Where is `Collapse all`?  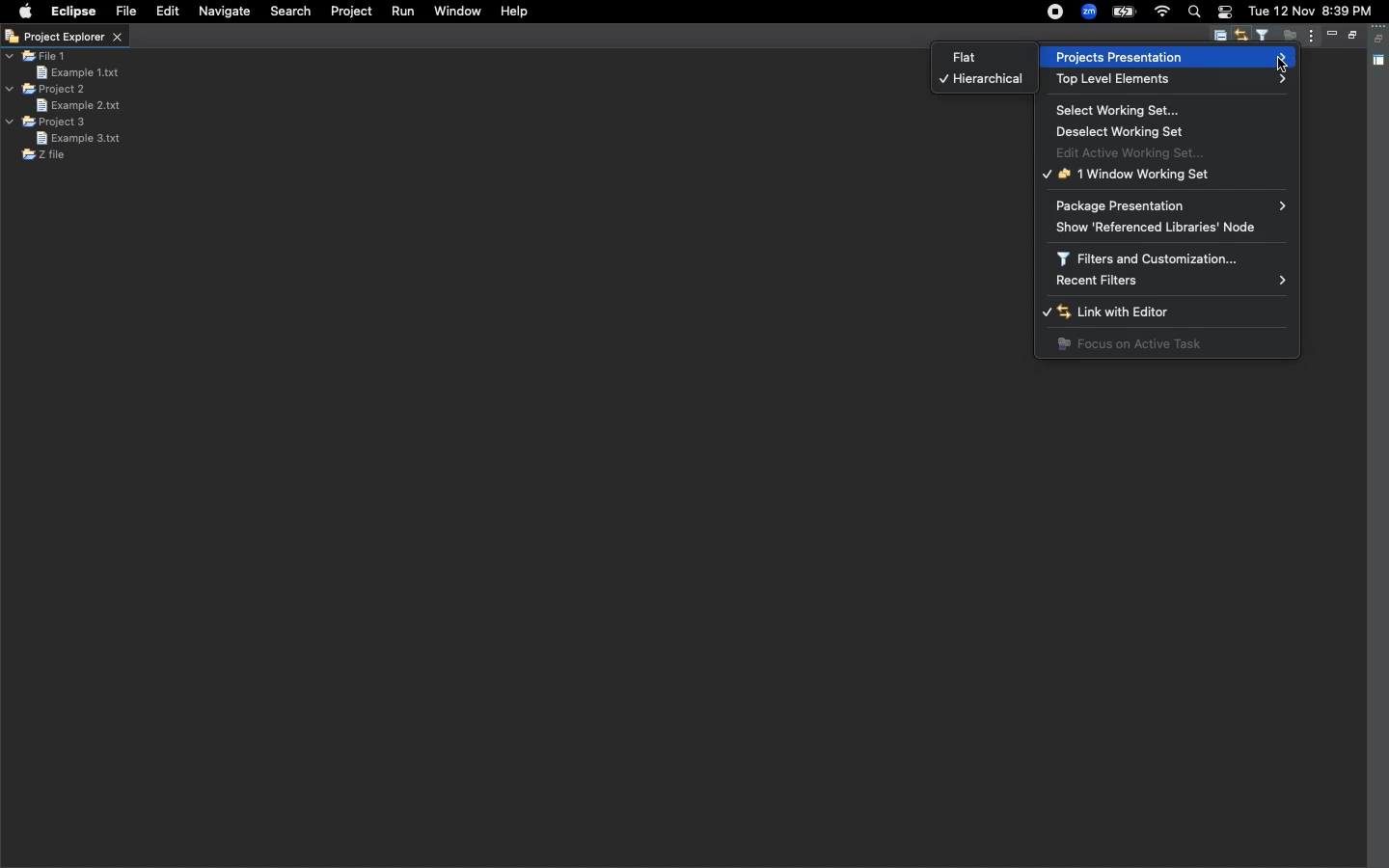 Collapse all is located at coordinates (1380, 39).